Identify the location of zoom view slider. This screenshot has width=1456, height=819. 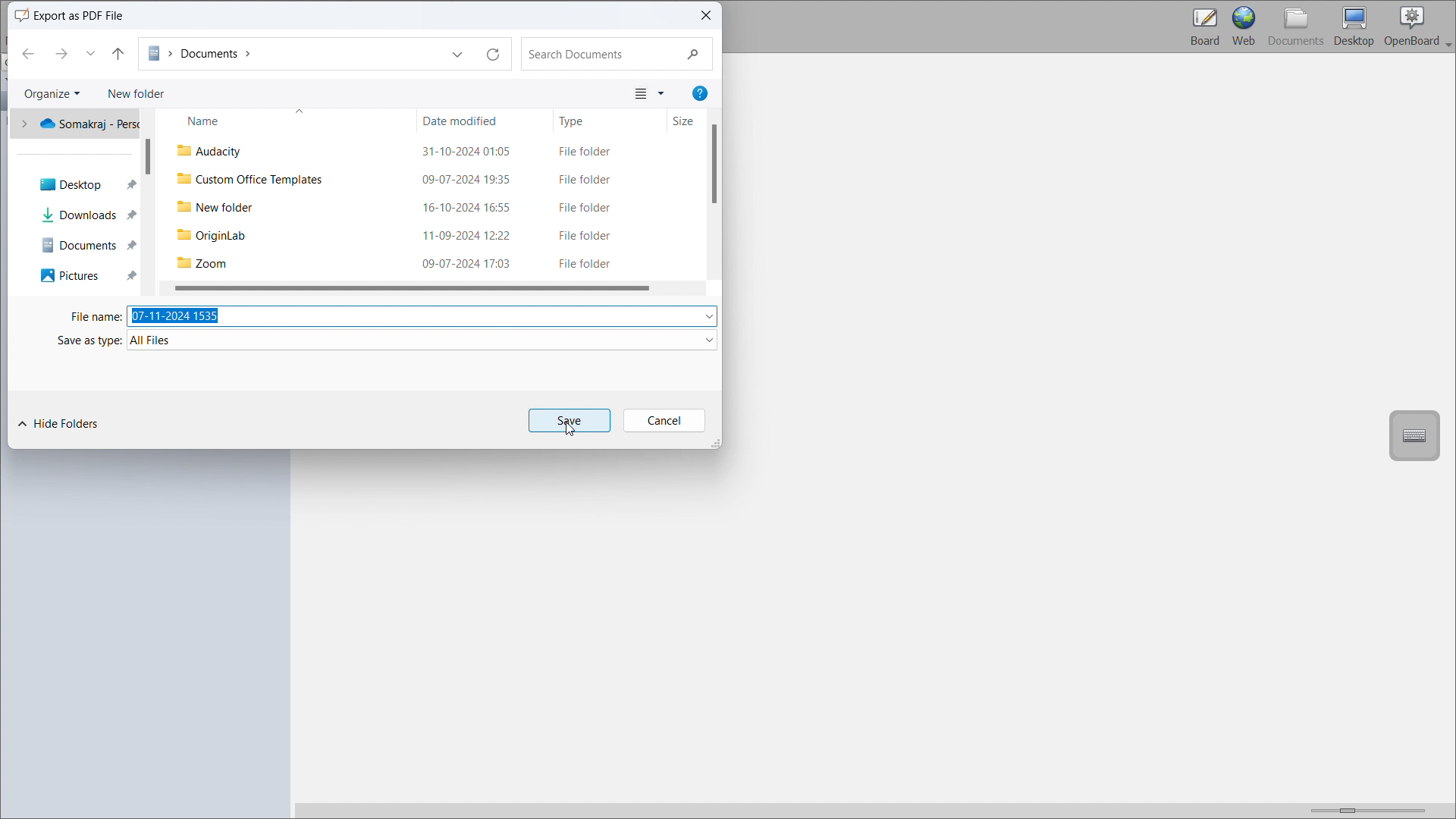
(1364, 808).